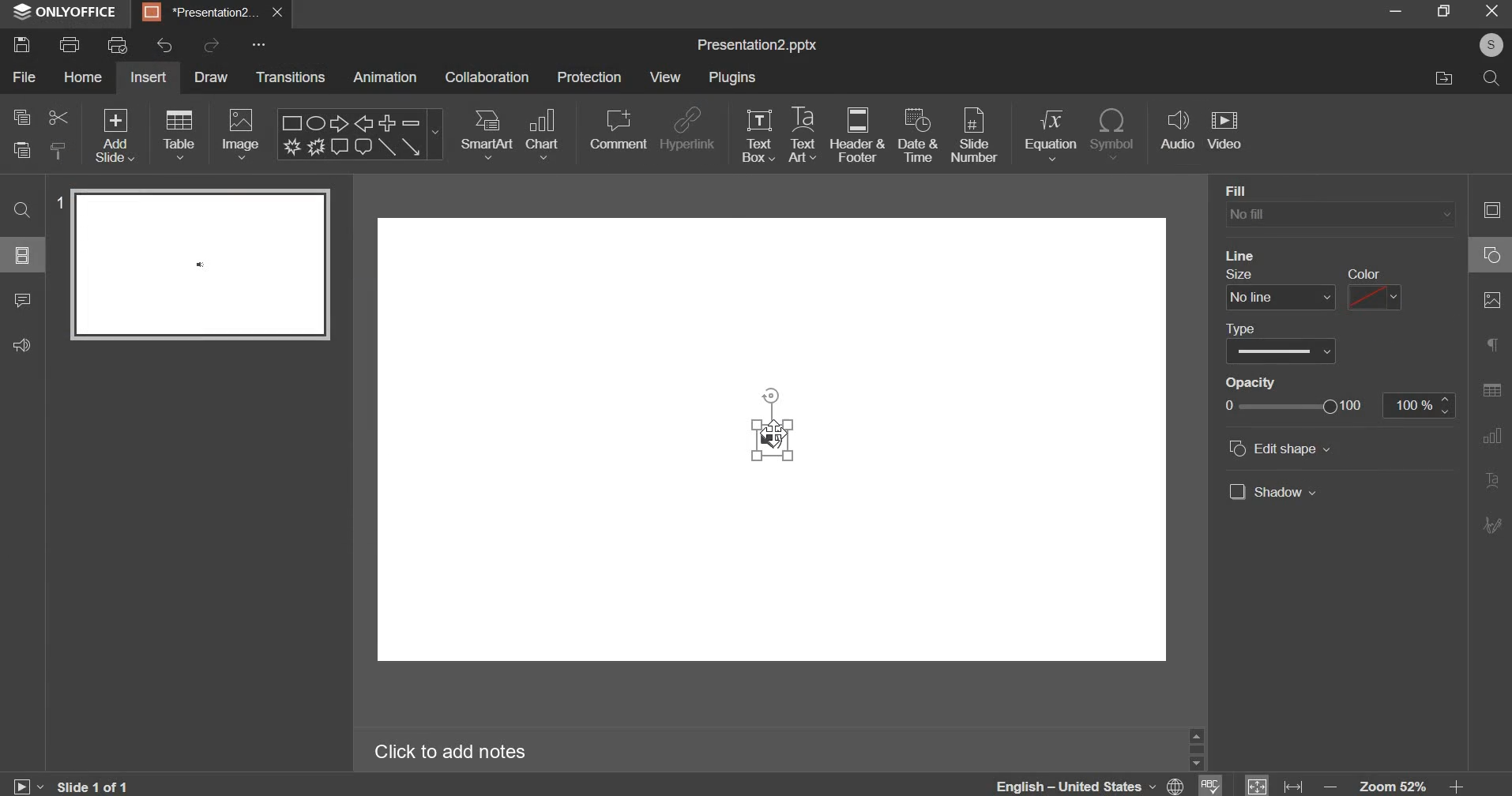  I want to click on save, so click(27, 42).